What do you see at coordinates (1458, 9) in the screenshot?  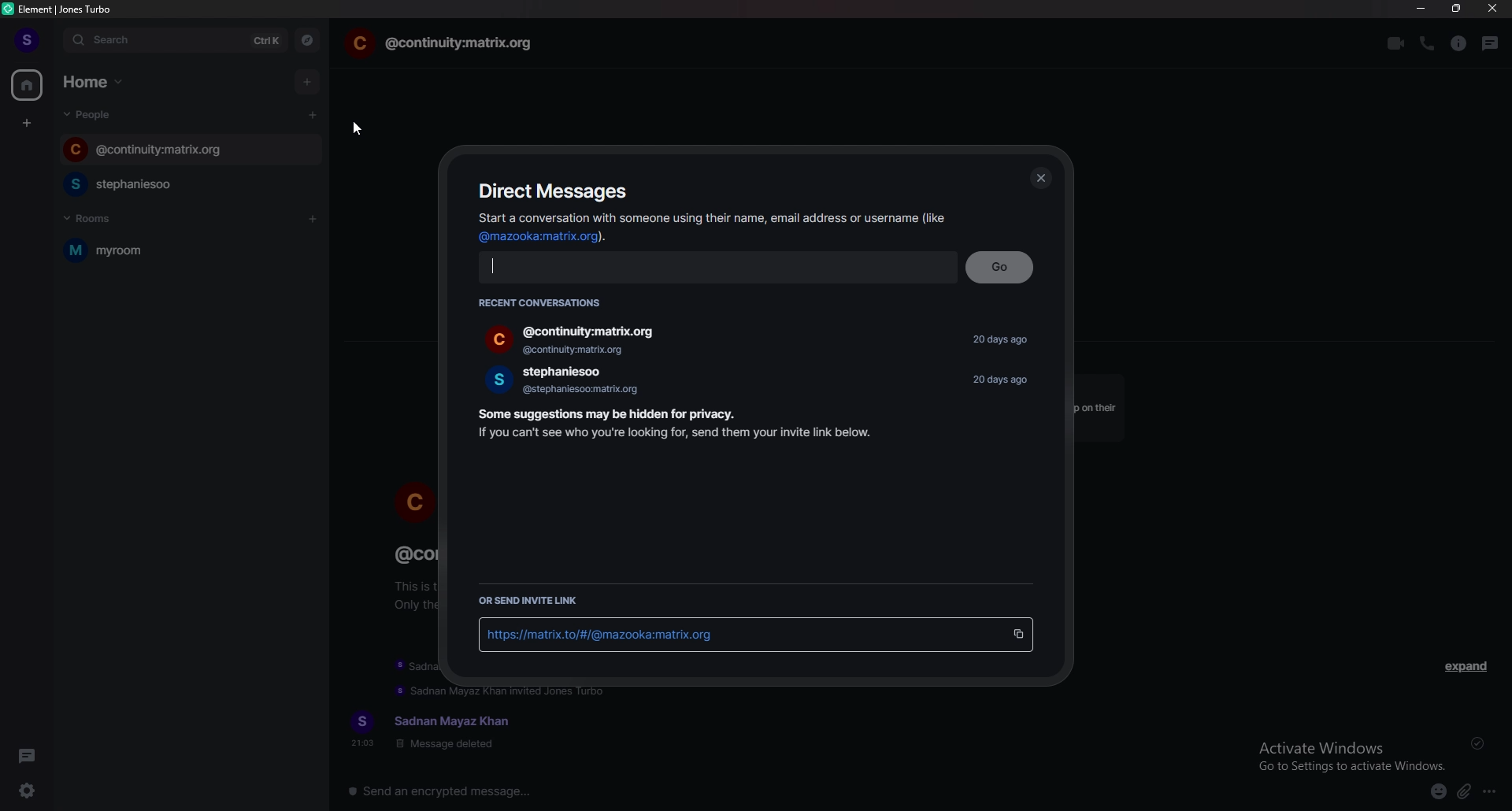 I see `resize` at bounding box center [1458, 9].